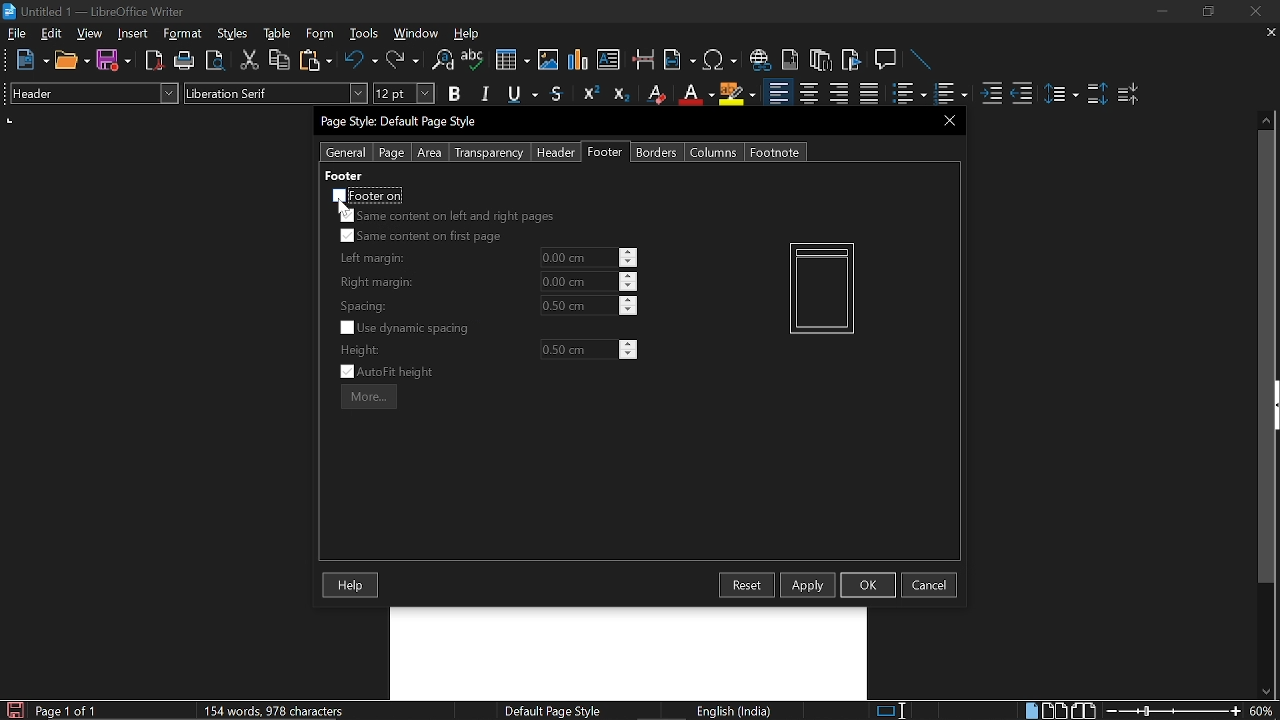 This screenshot has width=1280, height=720. Describe the element at coordinates (321, 34) in the screenshot. I see `Form` at that location.